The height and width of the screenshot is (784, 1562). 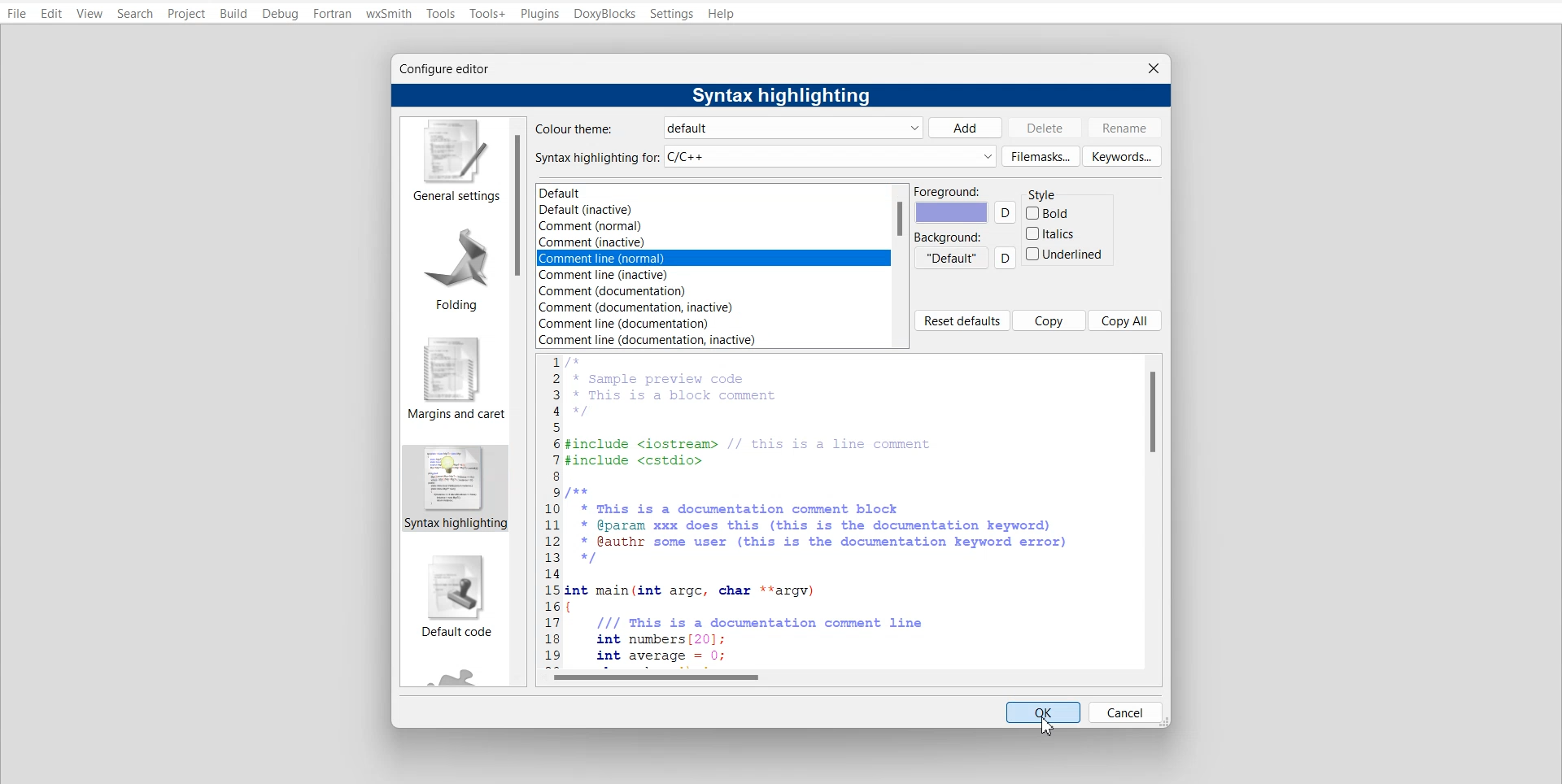 I want to click on Help, so click(x=722, y=14).